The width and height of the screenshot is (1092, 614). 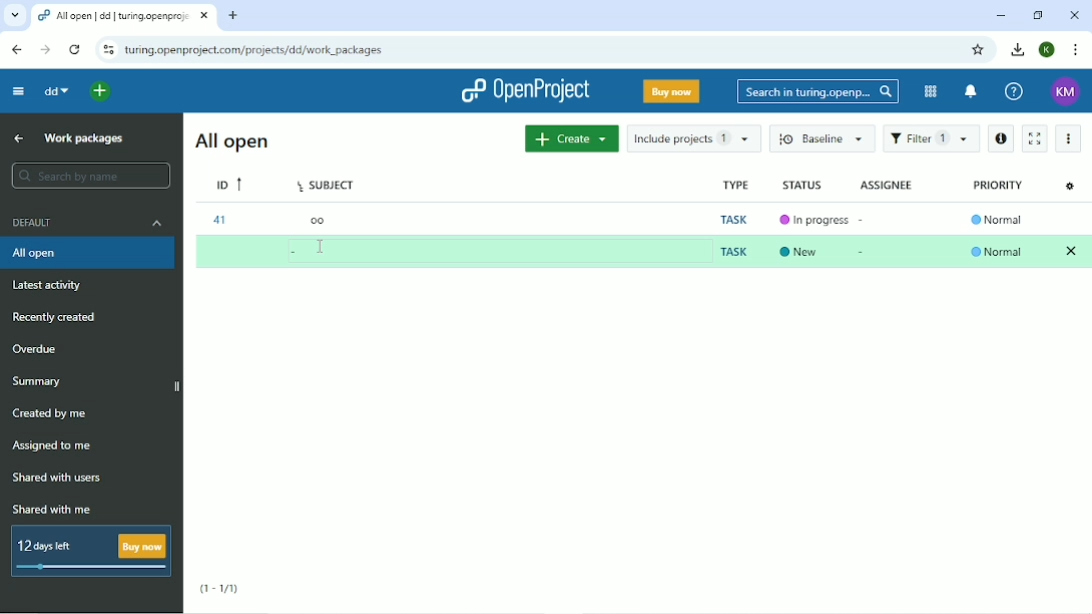 What do you see at coordinates (255, 51) in the screenshot?
I see `Site` at bounding box center [255, 51].